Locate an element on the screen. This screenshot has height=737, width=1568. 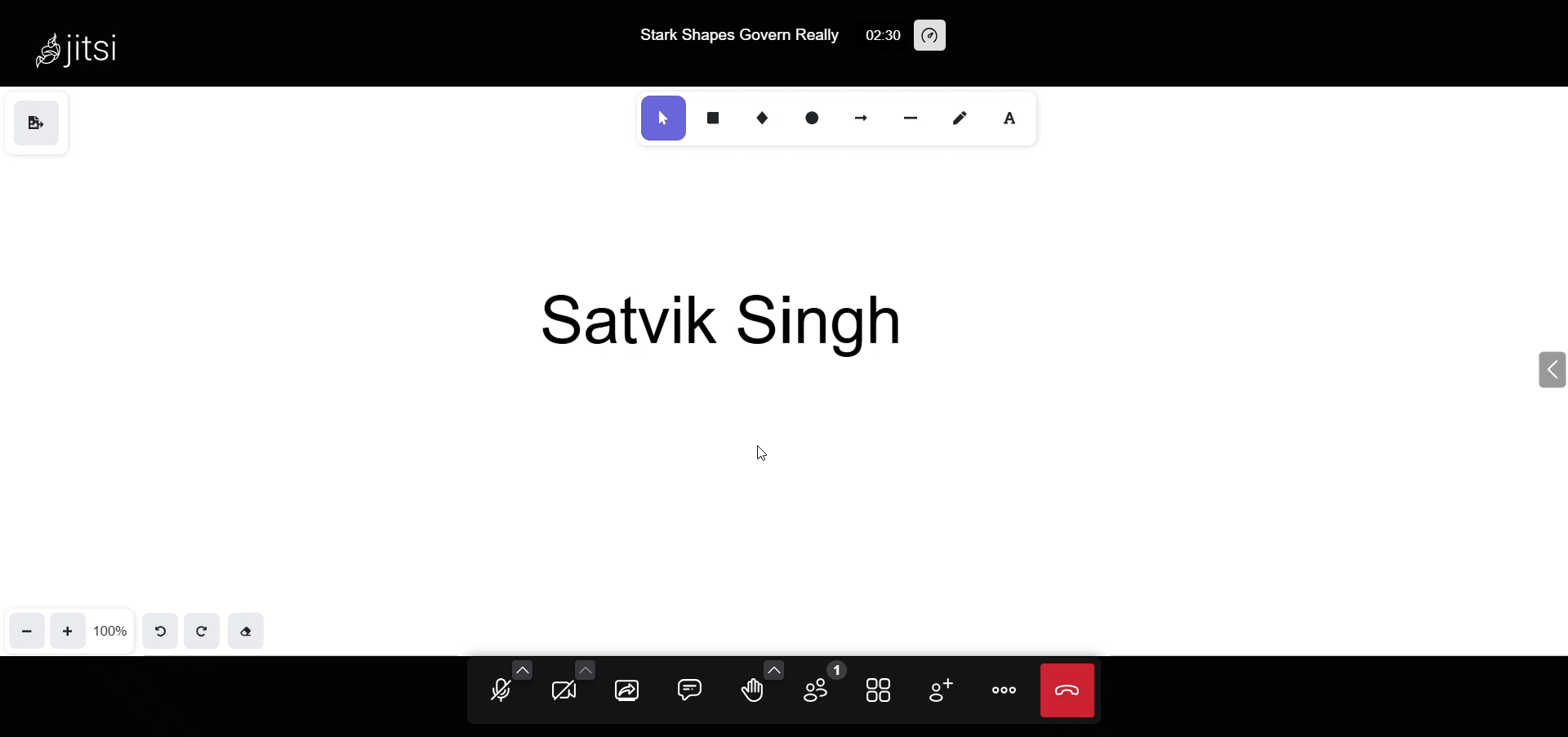
more camera option is located at coordinates (585, 668).